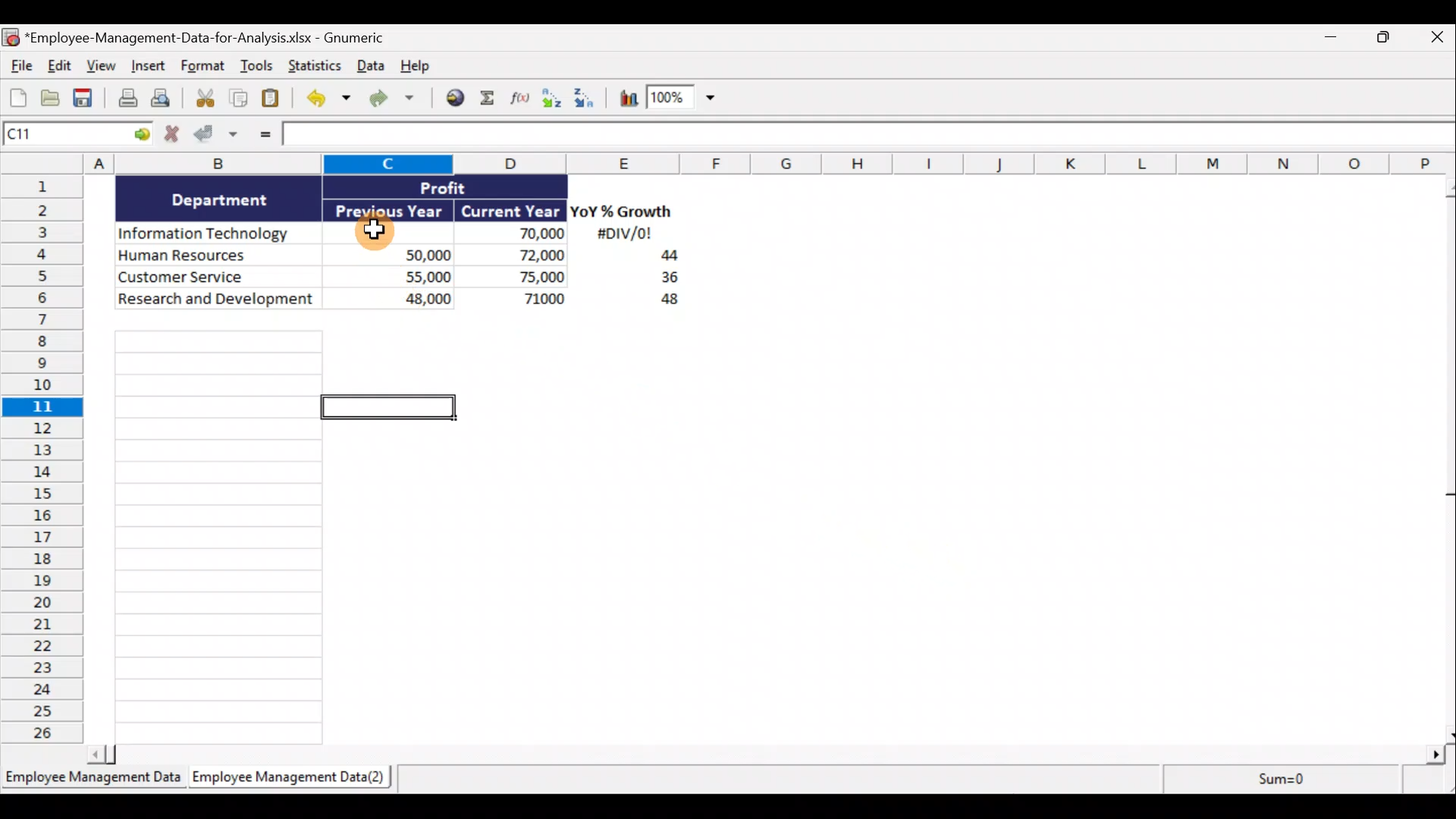  Describe the element at coordinates (64, 136) in the screenshot. I see `Cell name C1` at that location.